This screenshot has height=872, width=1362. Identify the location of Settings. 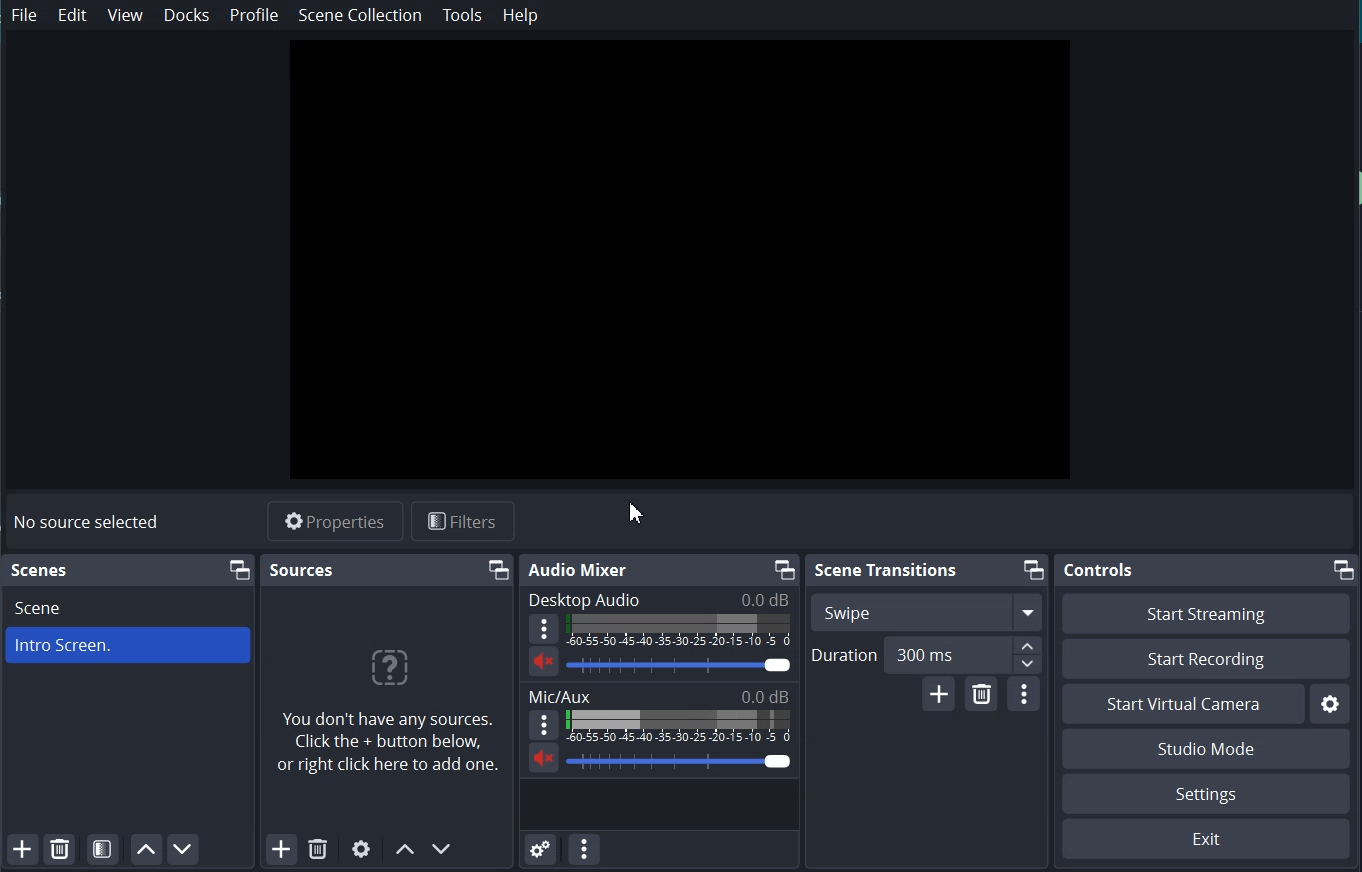
(1206, 794).